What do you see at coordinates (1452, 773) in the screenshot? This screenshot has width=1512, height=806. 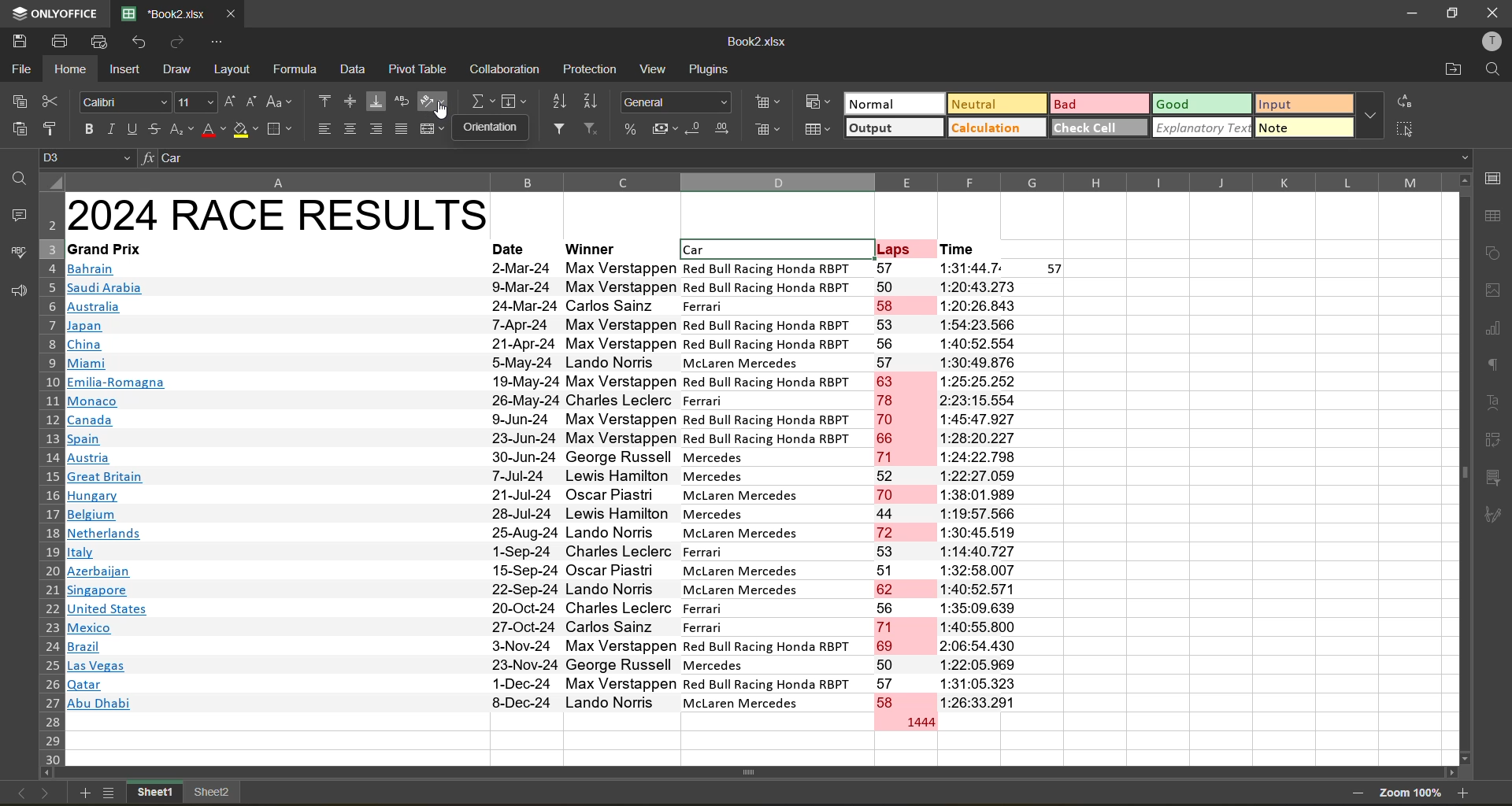 I see `Scroll right` at bounding box center [1452, 773].